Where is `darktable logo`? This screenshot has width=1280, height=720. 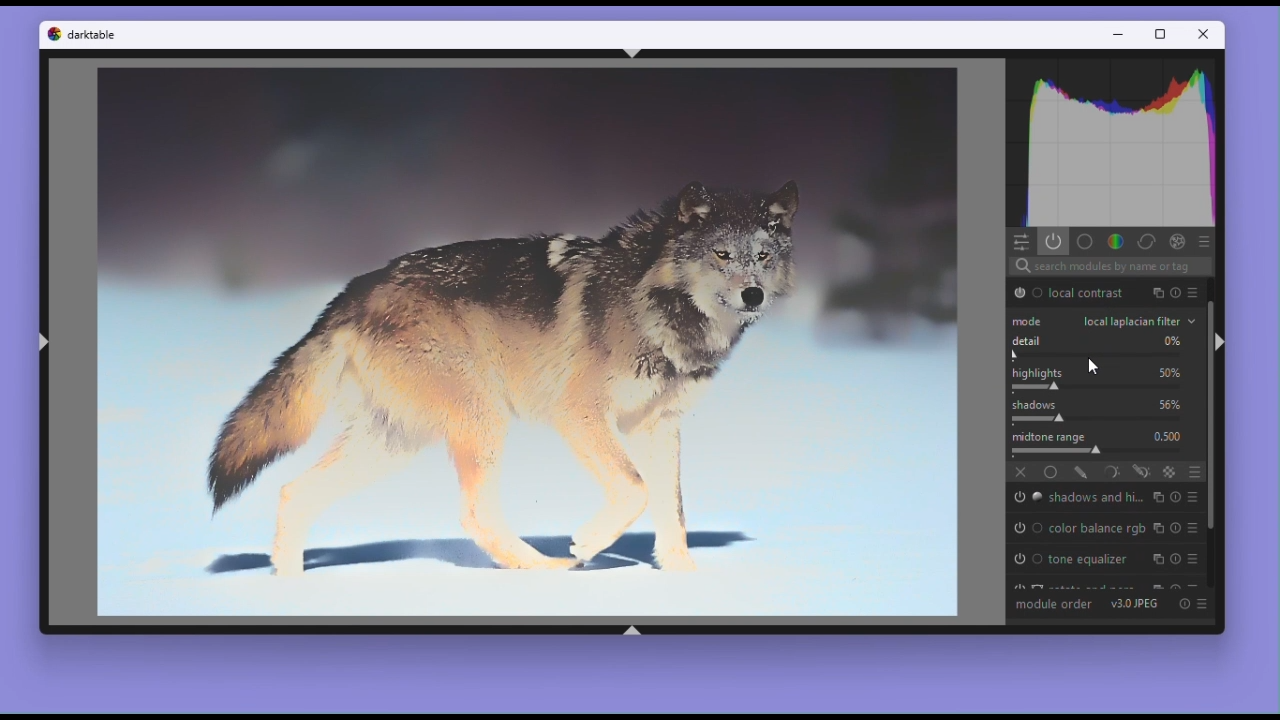
darktable logo is located at coordinates (55, 35).